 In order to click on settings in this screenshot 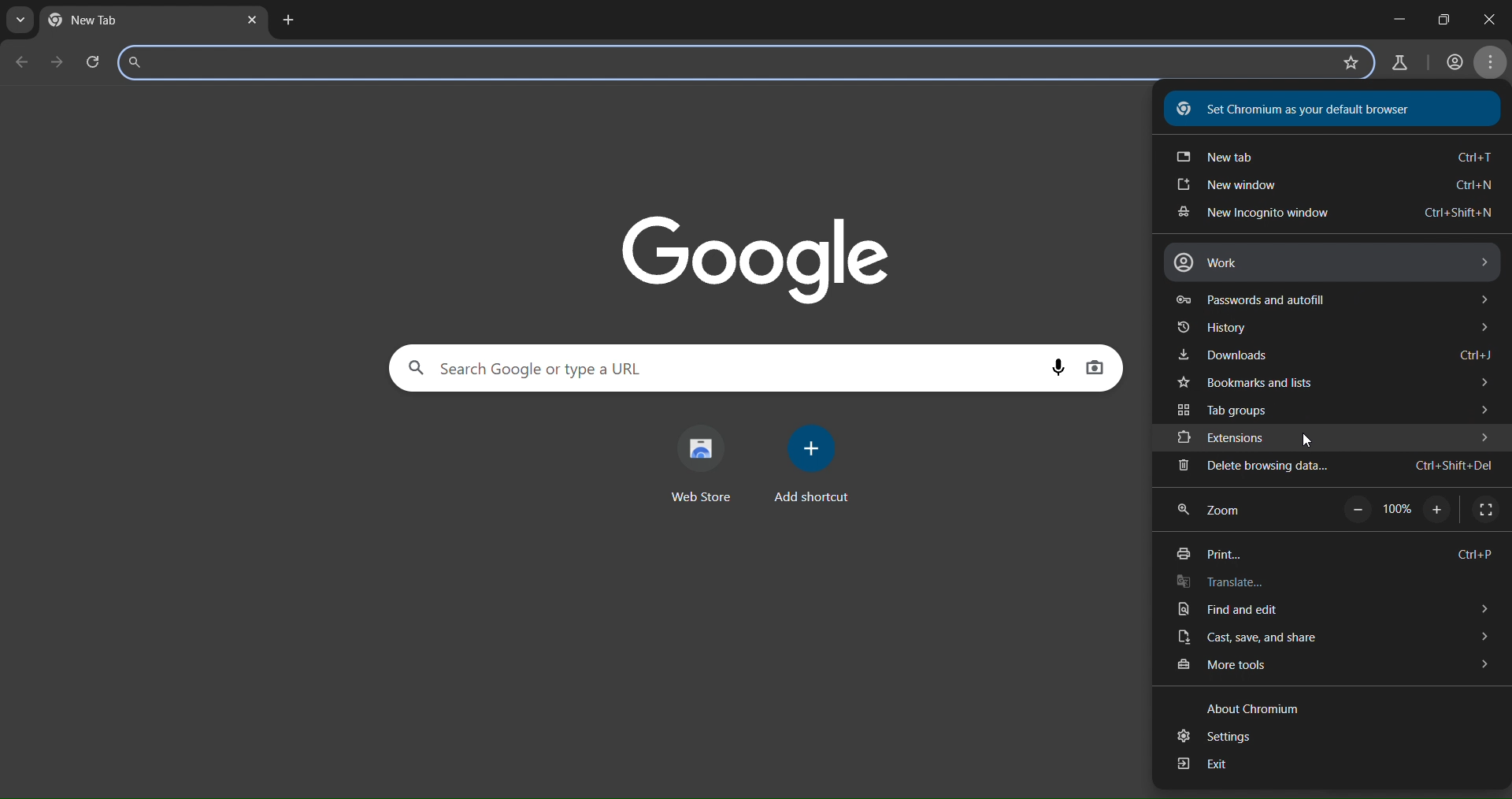, I will do `click(1210, 734)`.